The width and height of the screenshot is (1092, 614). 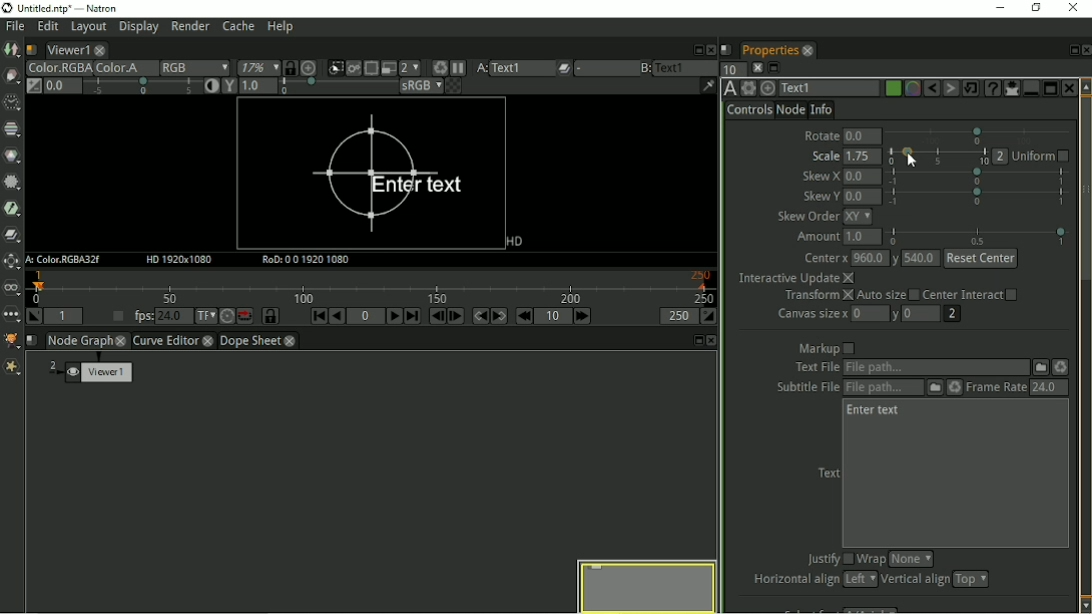 I want to click on Show/hide information bar, so click(x=706, y=87).